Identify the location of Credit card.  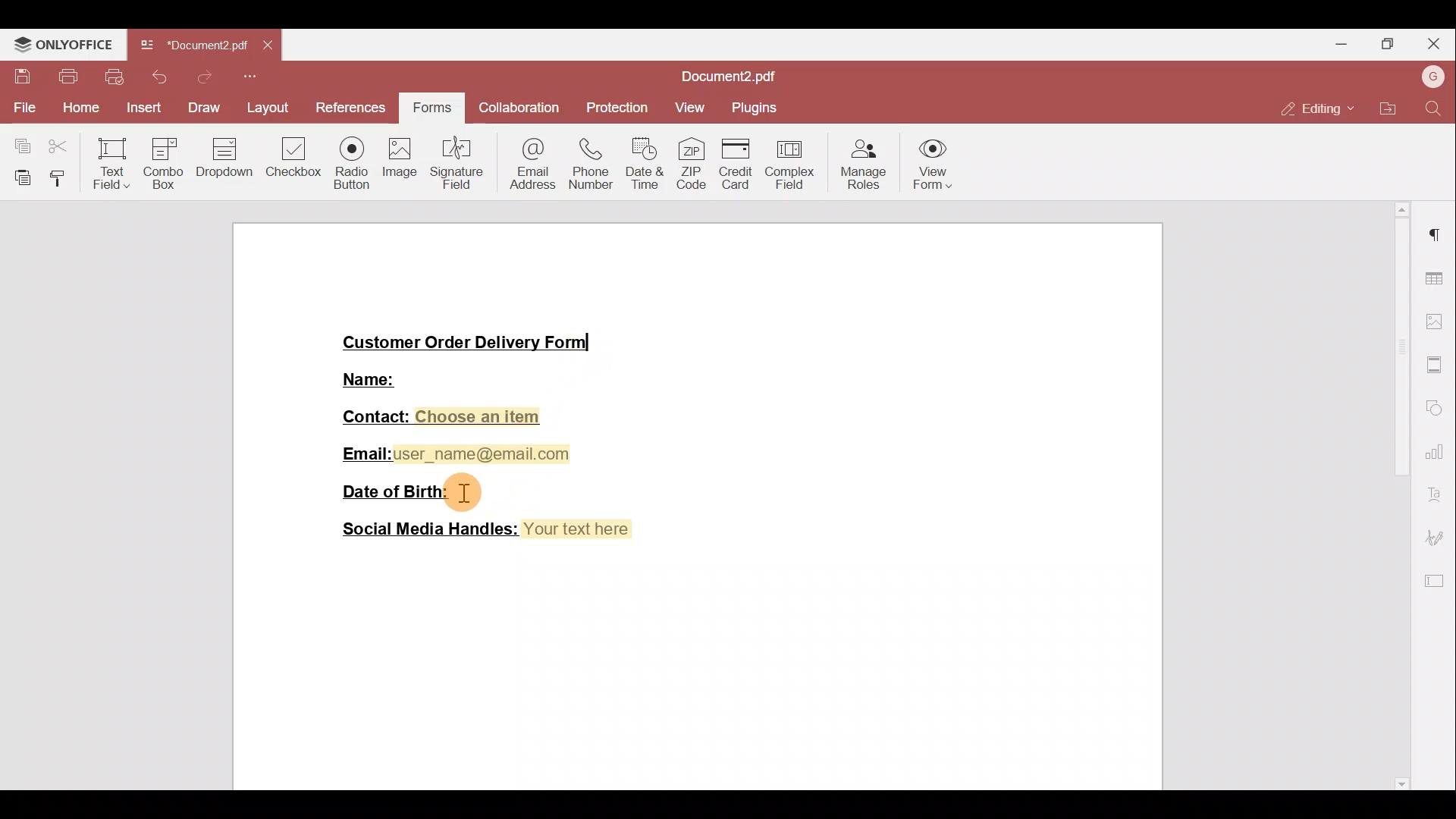
(742, 165).